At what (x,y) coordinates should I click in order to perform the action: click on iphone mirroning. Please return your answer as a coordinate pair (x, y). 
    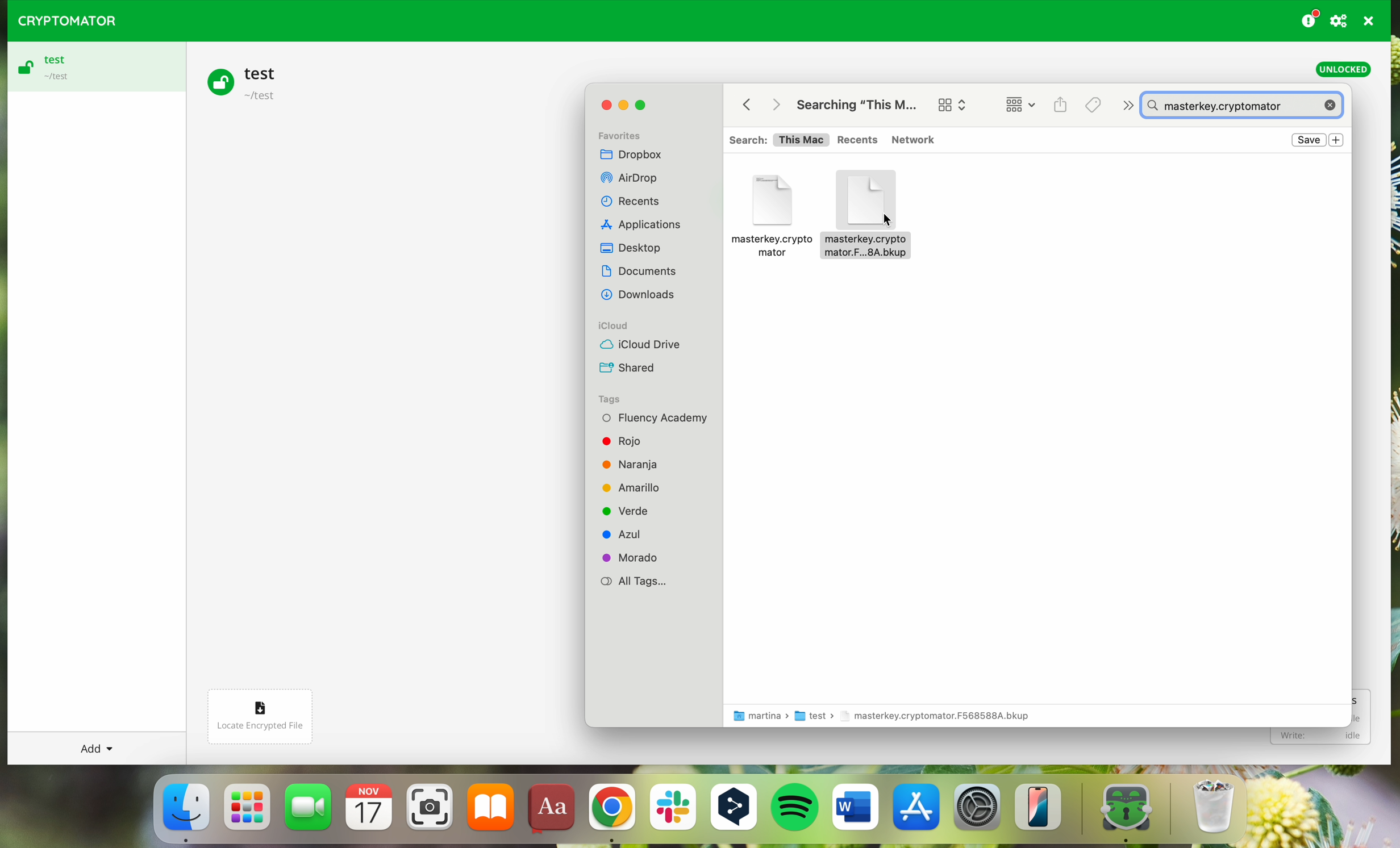
    Looking at the image, I should click on (1043, 811).